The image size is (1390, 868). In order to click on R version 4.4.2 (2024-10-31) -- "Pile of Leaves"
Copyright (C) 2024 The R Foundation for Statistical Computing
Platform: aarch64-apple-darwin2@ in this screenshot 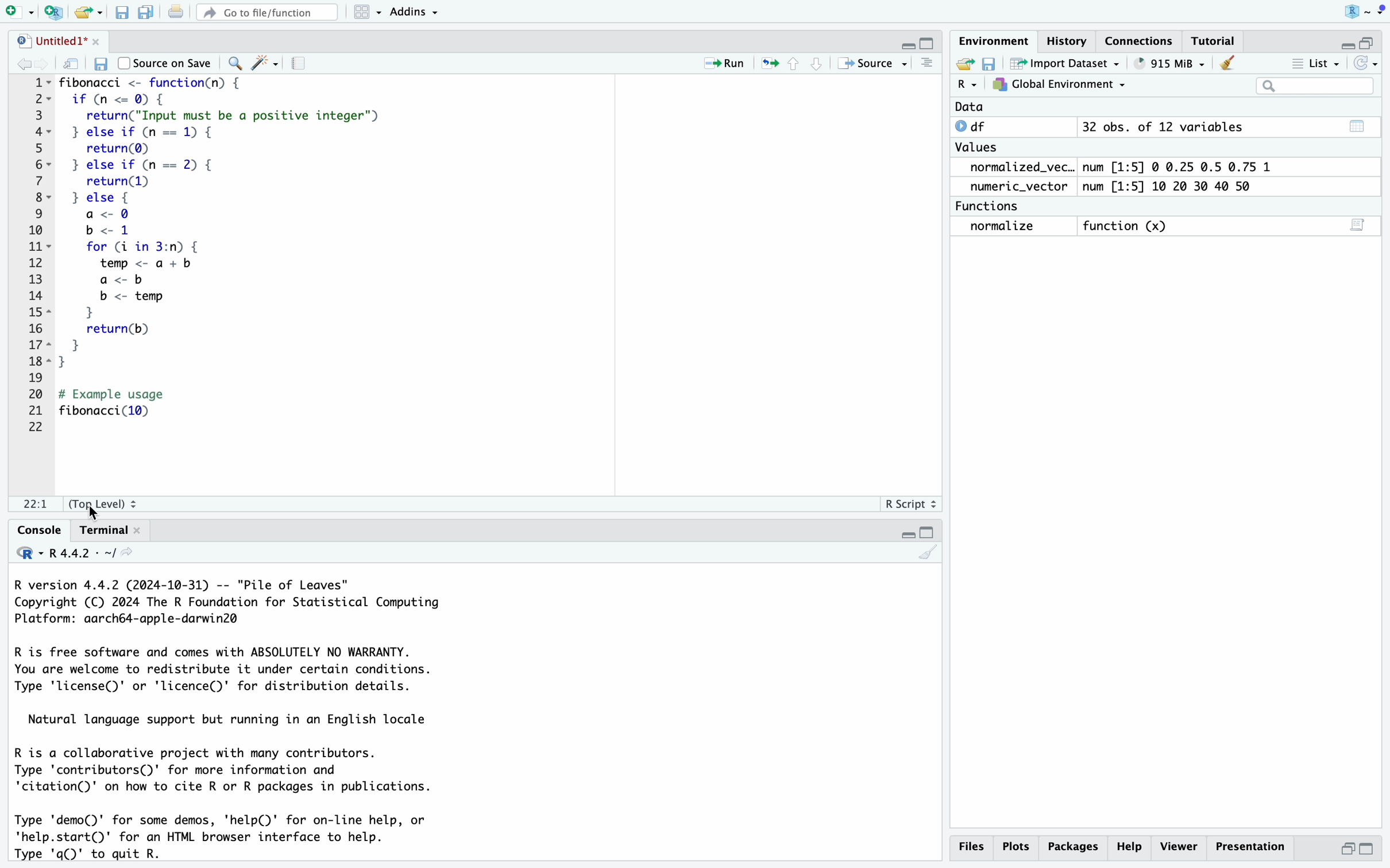, I will do `click(237, 604)`.